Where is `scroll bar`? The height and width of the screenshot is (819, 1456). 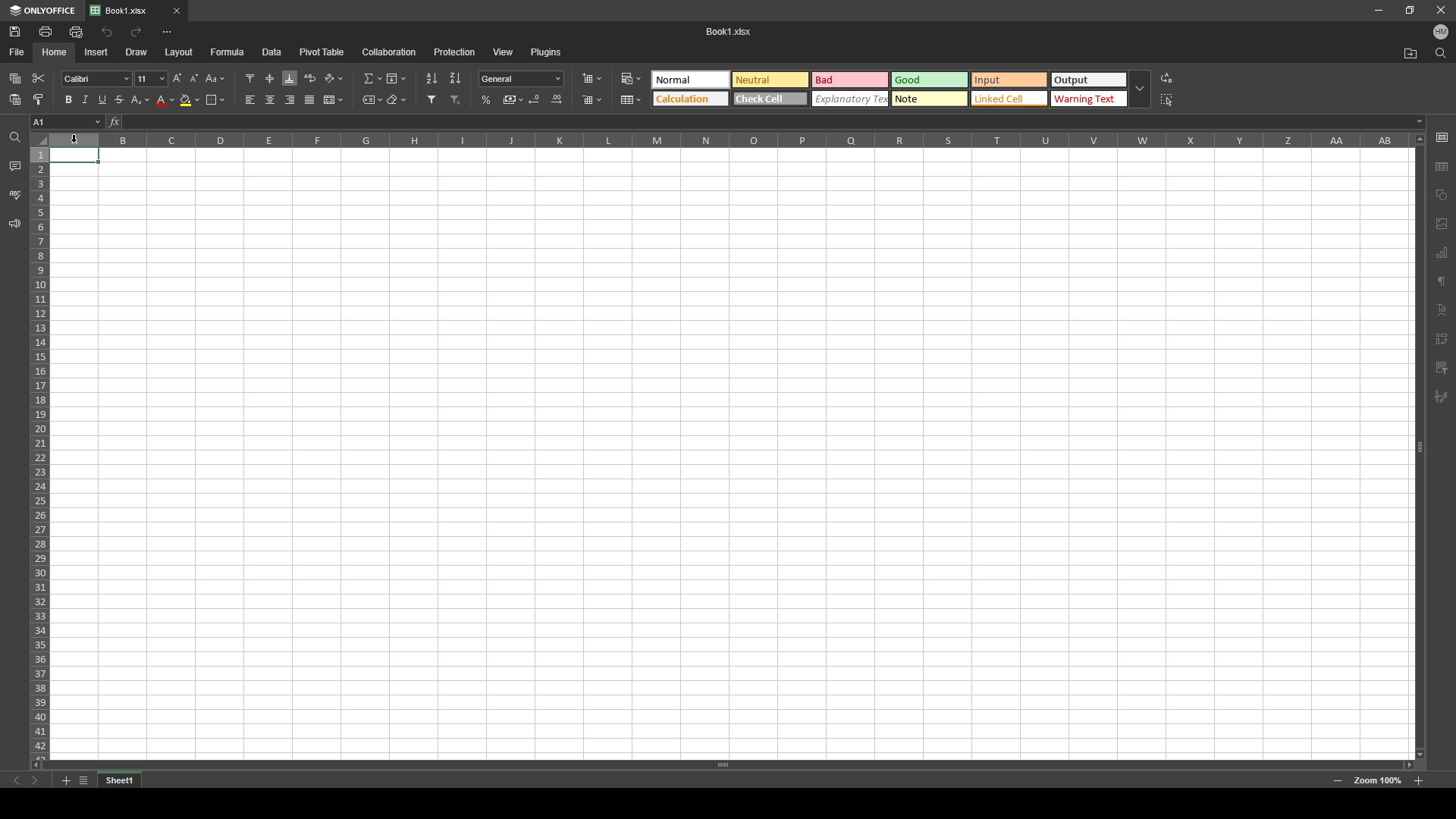 scroll bar is located at coordinates (1419, 446).